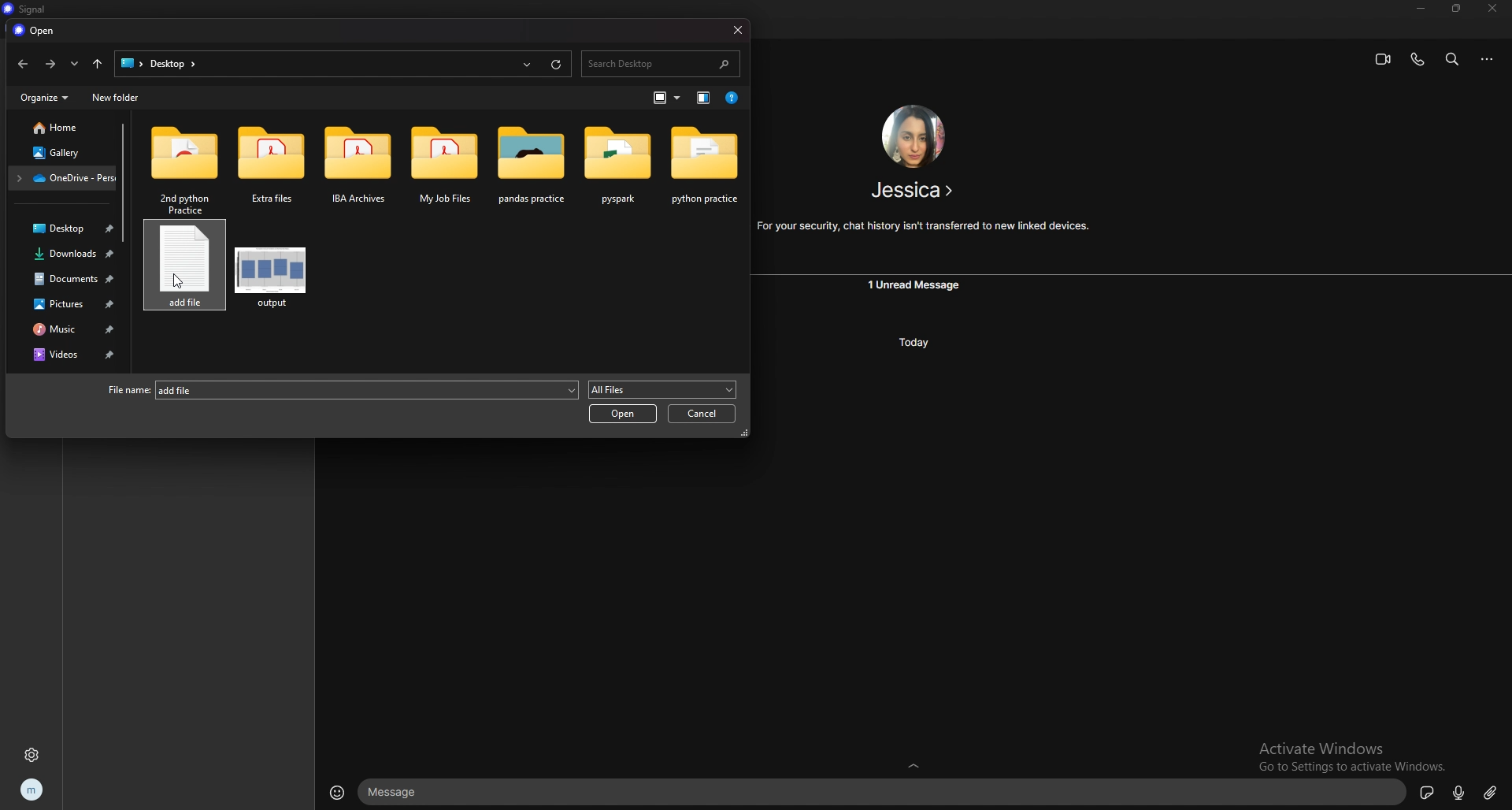 The image size is (1512, 810). What do you see at coordinates (33, 790) in the screenshot?
I see `profile` at bounding box center [33, 790].